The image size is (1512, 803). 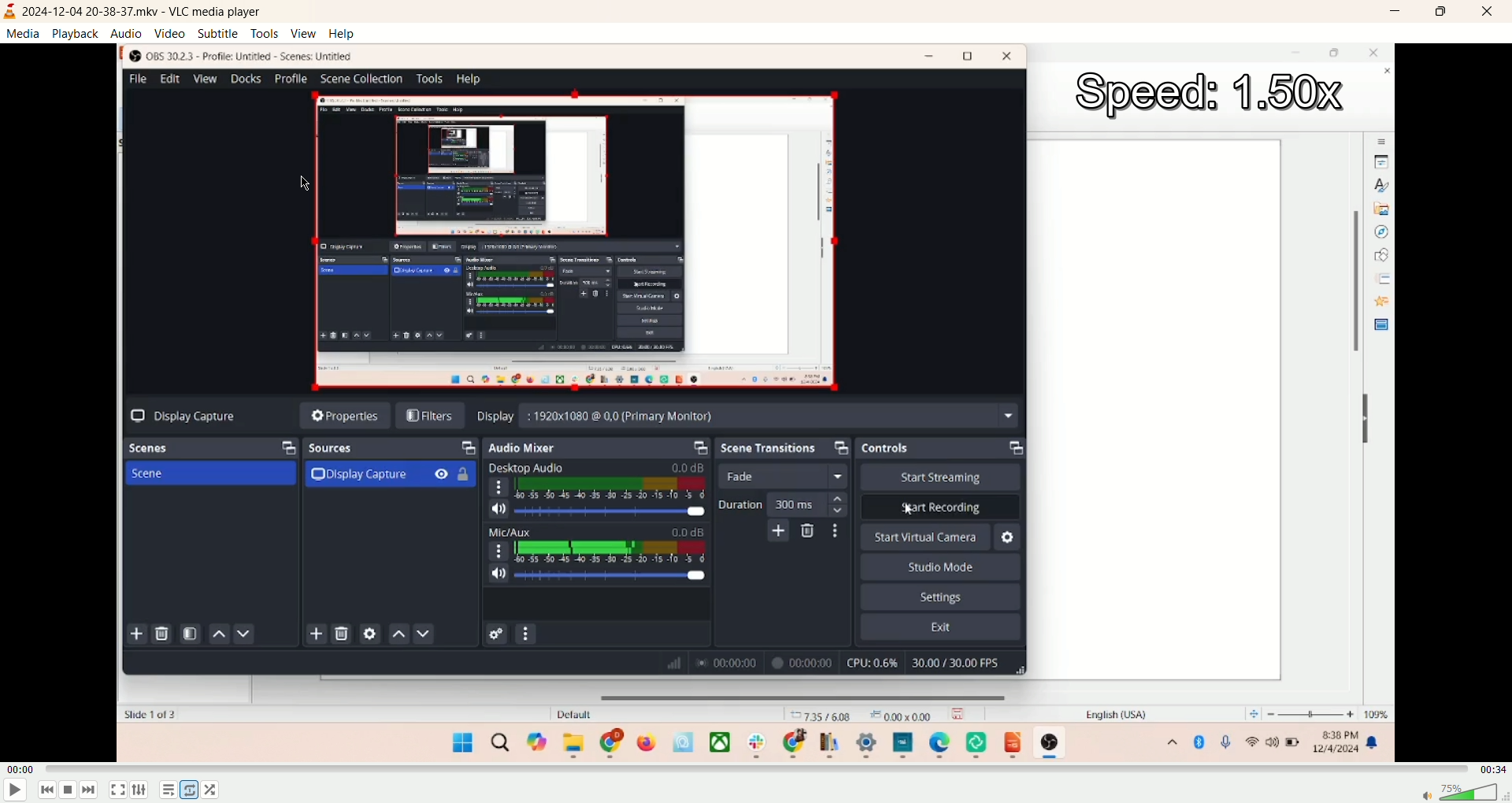 What do you see at coordinates (16, 792) in the screenshot?
I see `play/pause` at bounding box center [16, 792].